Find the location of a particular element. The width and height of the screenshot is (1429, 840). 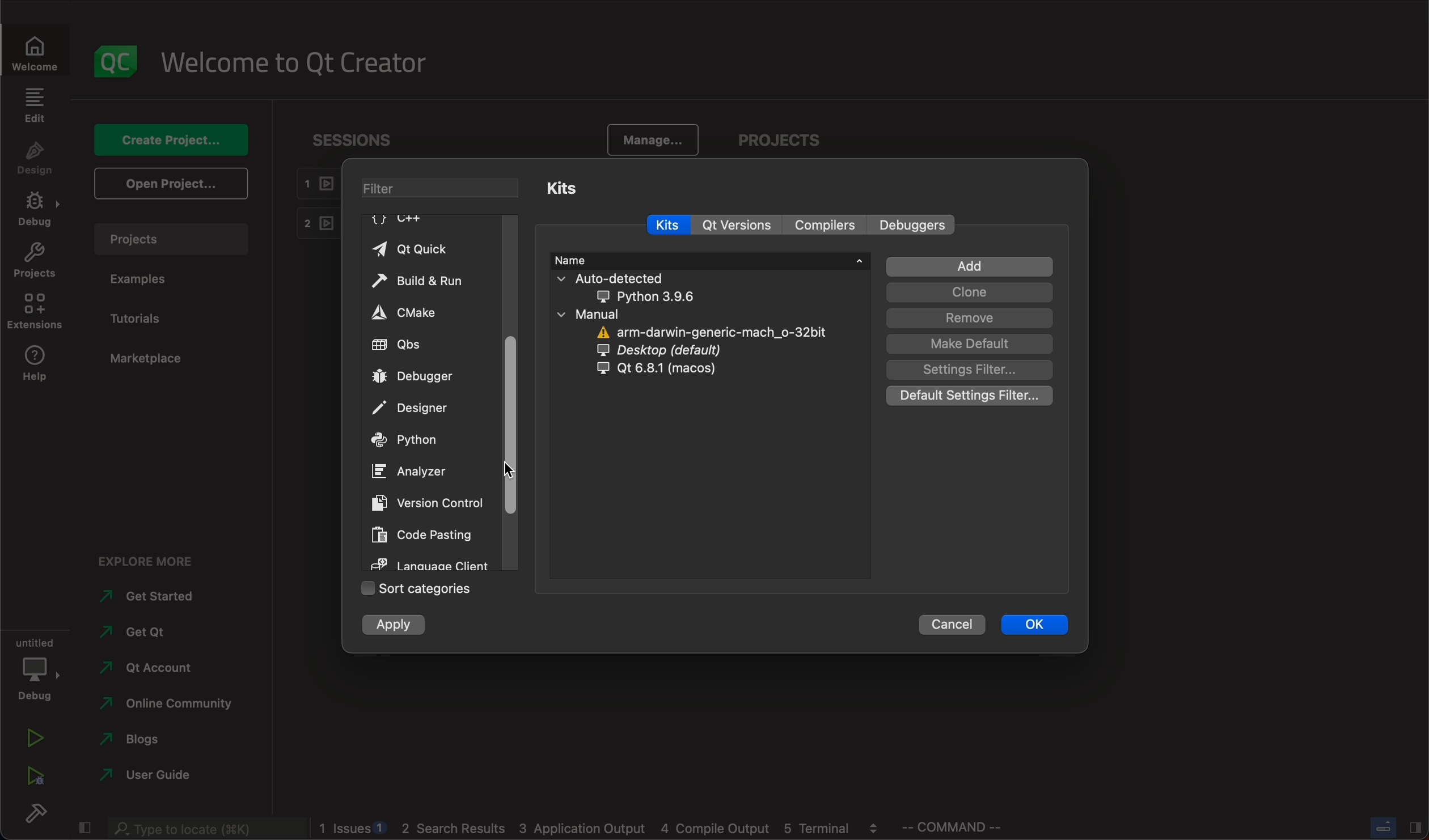

sessions is located at coordinates (363, 141).